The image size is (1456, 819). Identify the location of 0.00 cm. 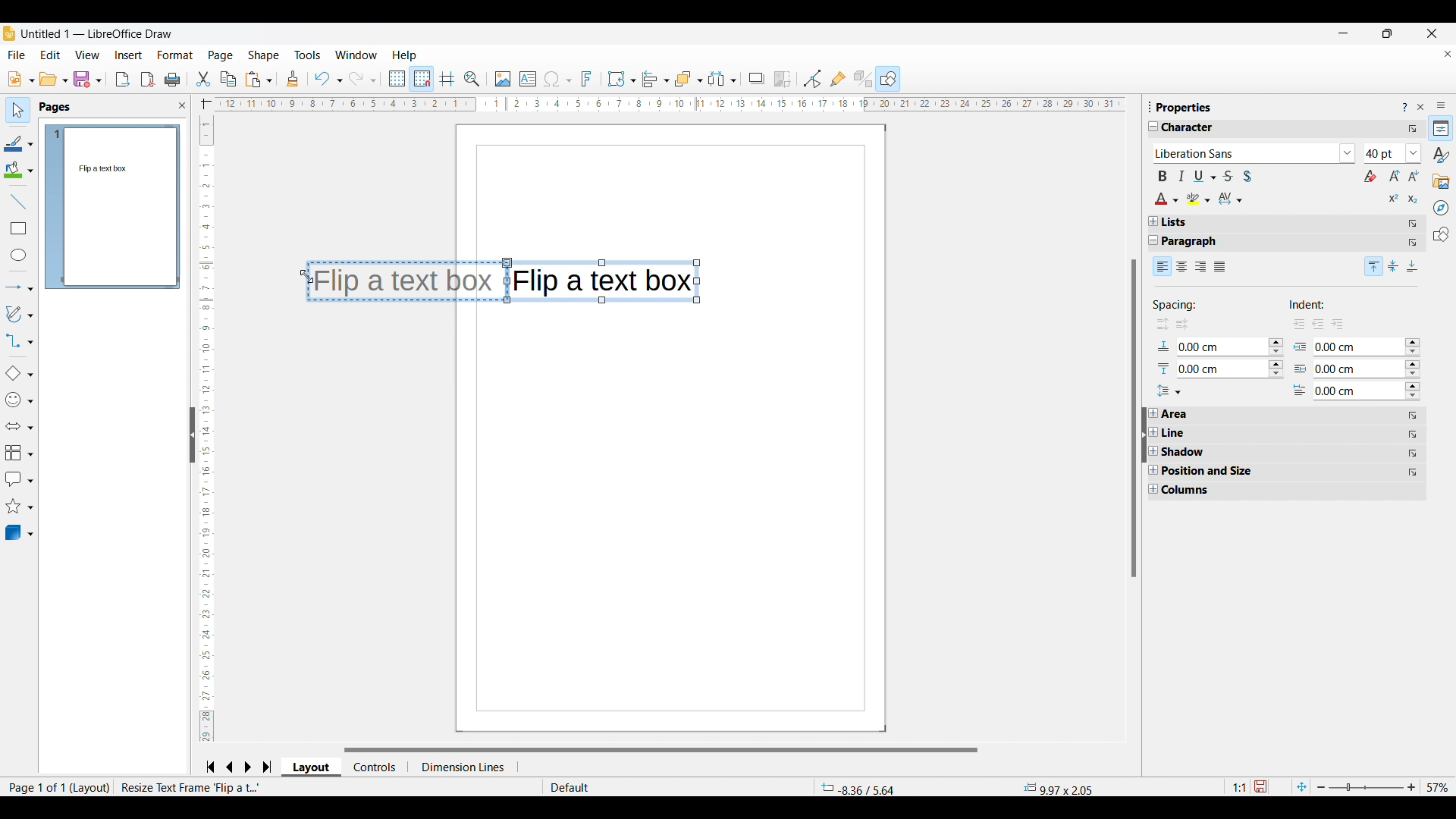
(1352, 347).